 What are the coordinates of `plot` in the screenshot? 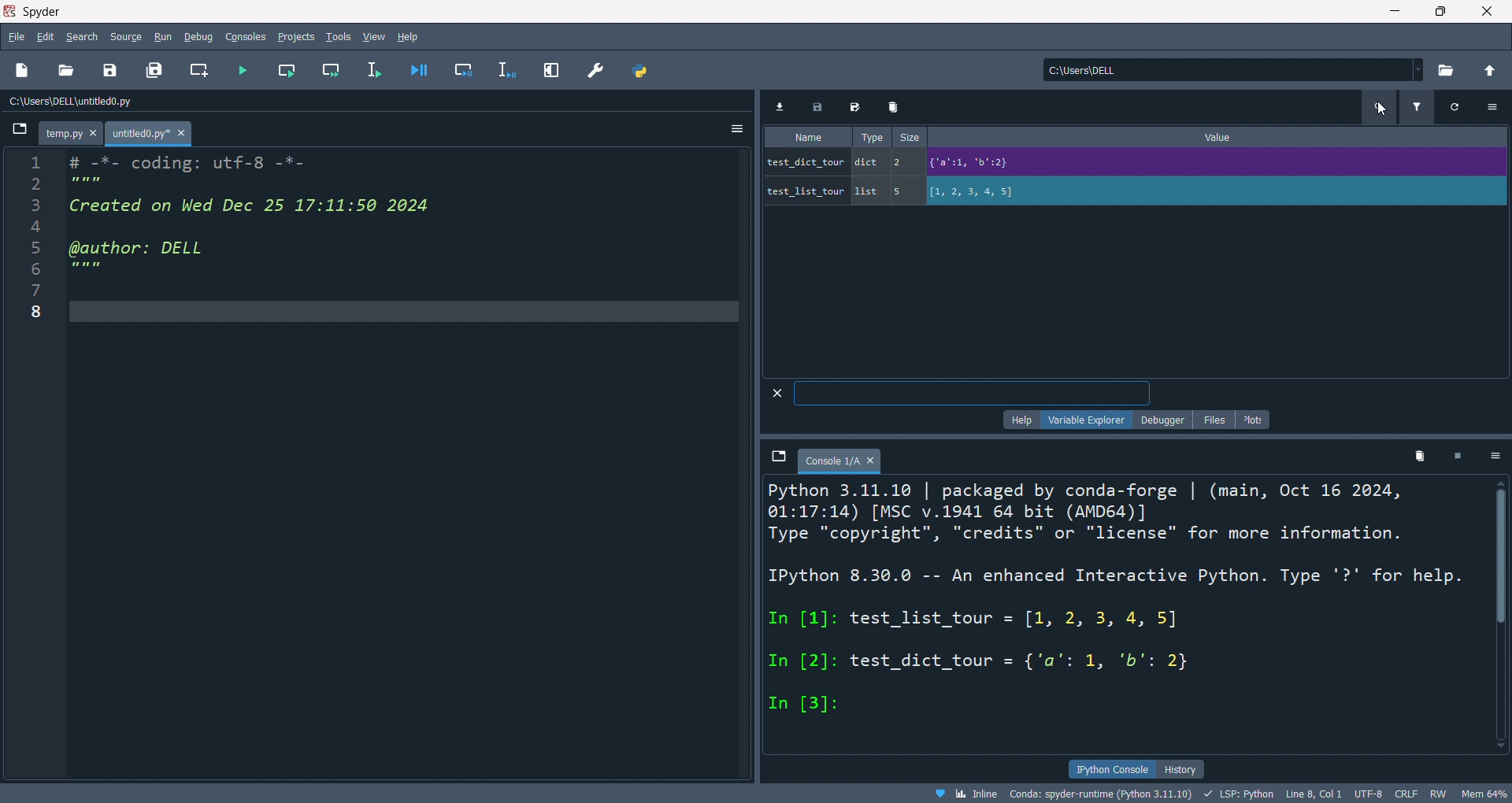 It's located at (1256, 420).